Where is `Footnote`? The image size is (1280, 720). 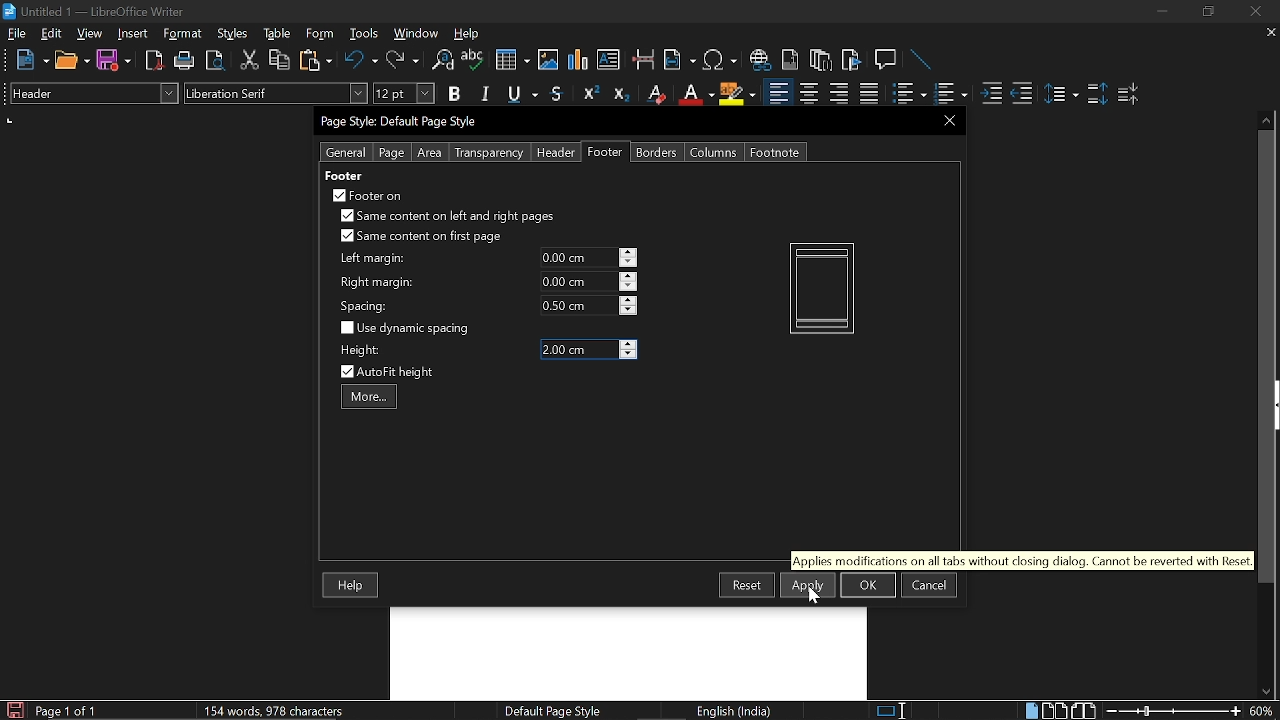
Footnote is located at coordinates (774, 152).